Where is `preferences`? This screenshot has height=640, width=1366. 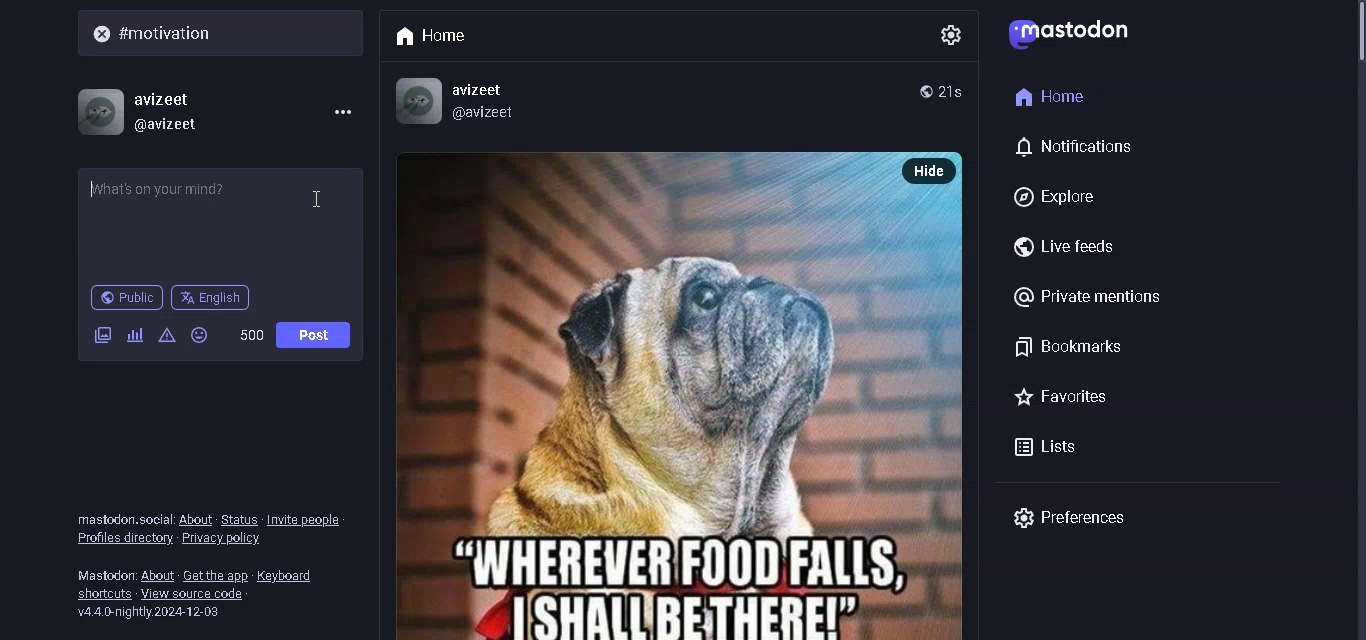
preferences is located at coordinates (1068, 518).